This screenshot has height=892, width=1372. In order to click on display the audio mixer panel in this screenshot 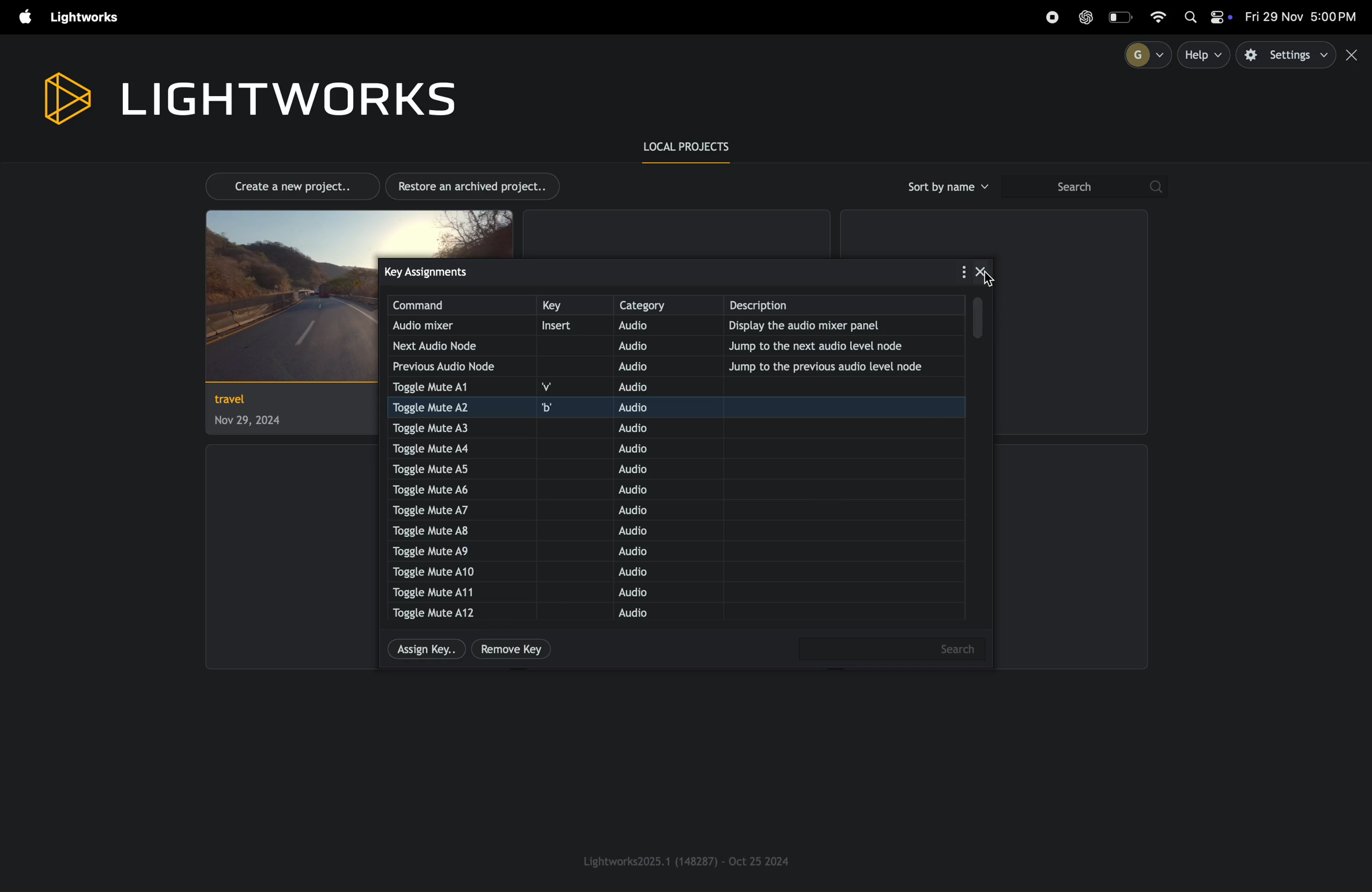, I will do `click(836, 327)`.